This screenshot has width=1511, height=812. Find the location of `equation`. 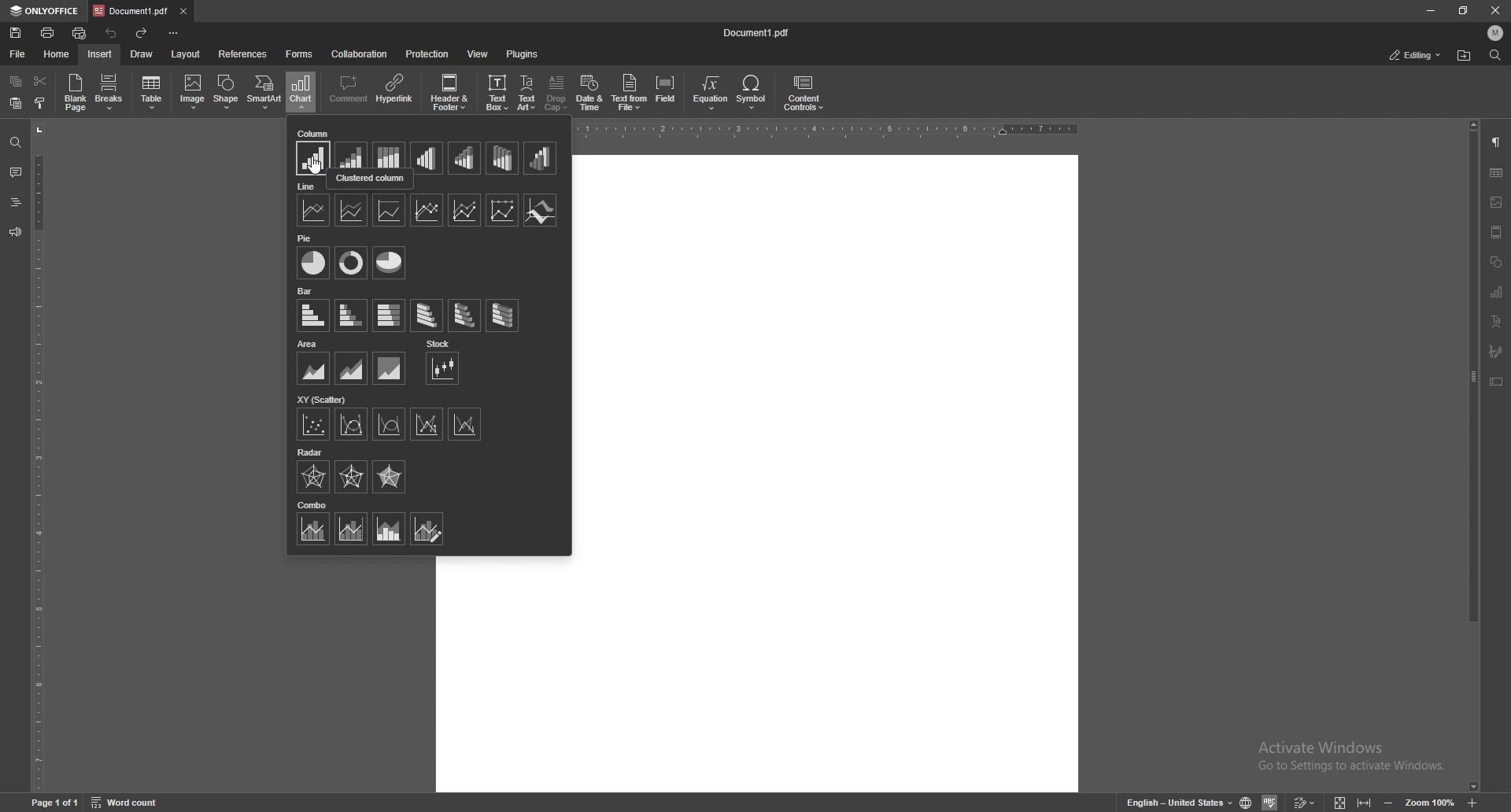

equation is located at coordinates (711, 92).